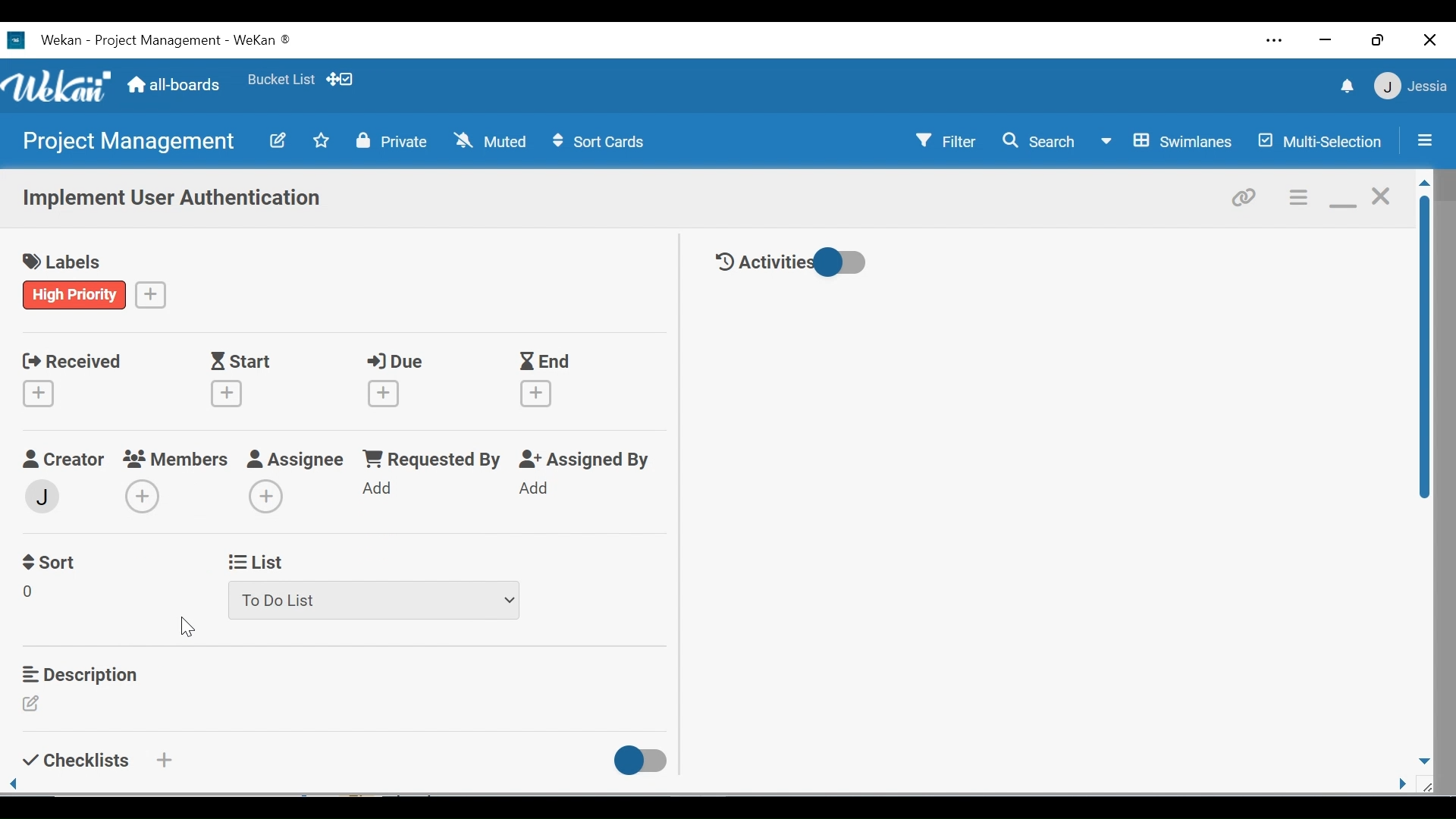 Image resolution: width=1456 pixels, height=819 pixels. I want to click on toggle, so click(642, 761).